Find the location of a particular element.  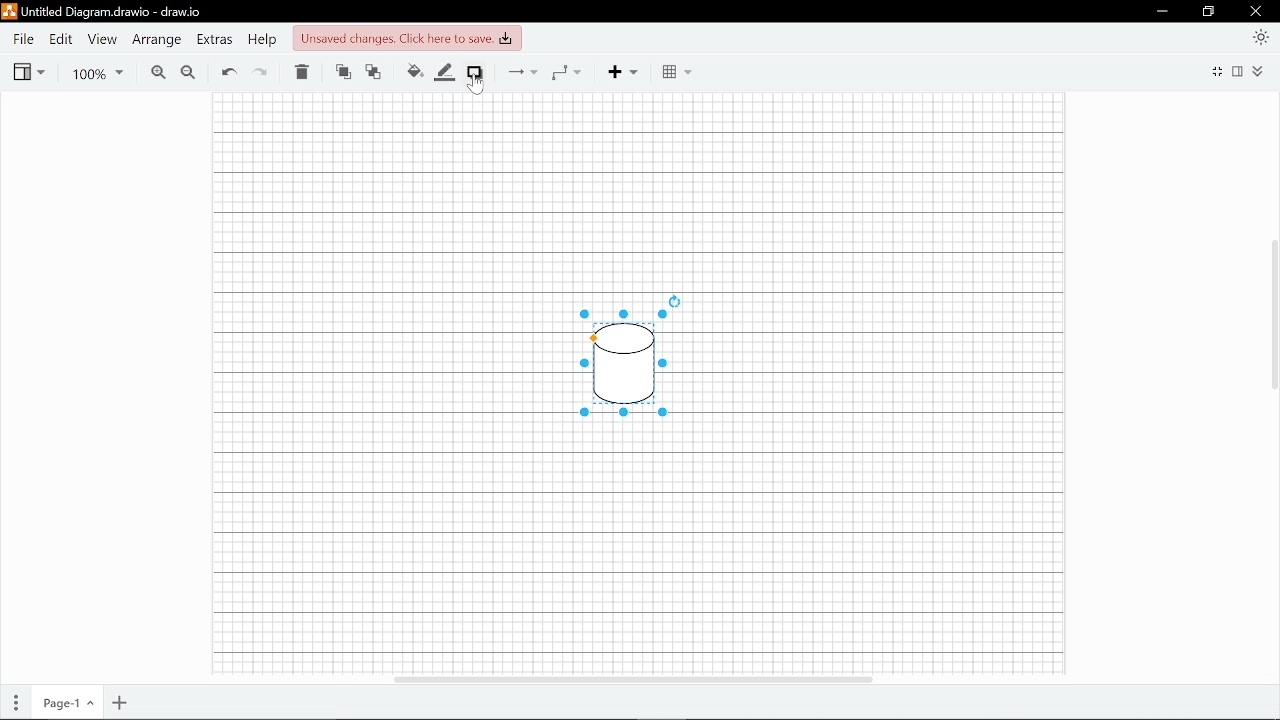

Appearance is located at coordinates (1256, 39).